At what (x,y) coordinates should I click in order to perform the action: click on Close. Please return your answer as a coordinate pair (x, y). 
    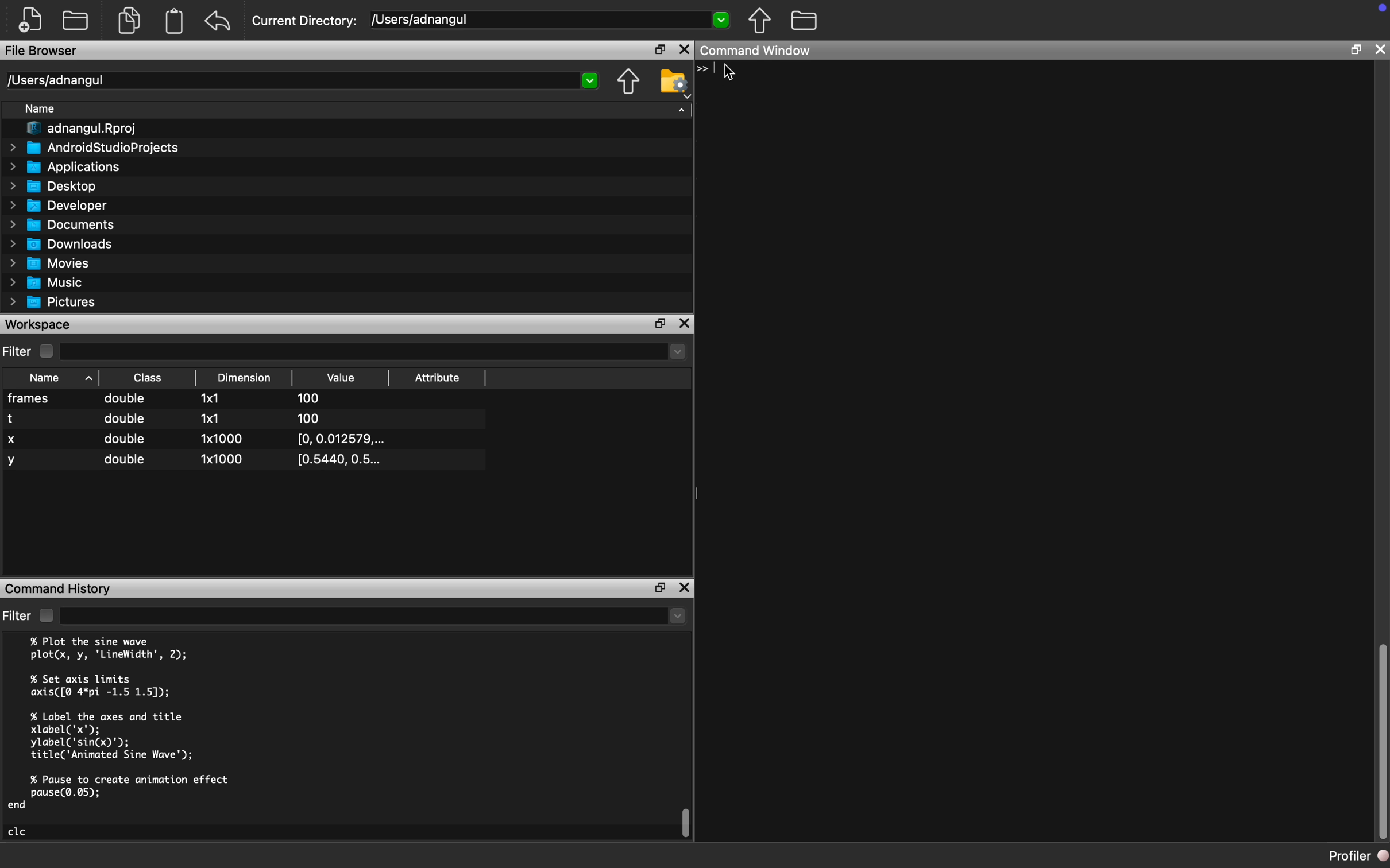
    Looking at the image, I should click on (684, 49).